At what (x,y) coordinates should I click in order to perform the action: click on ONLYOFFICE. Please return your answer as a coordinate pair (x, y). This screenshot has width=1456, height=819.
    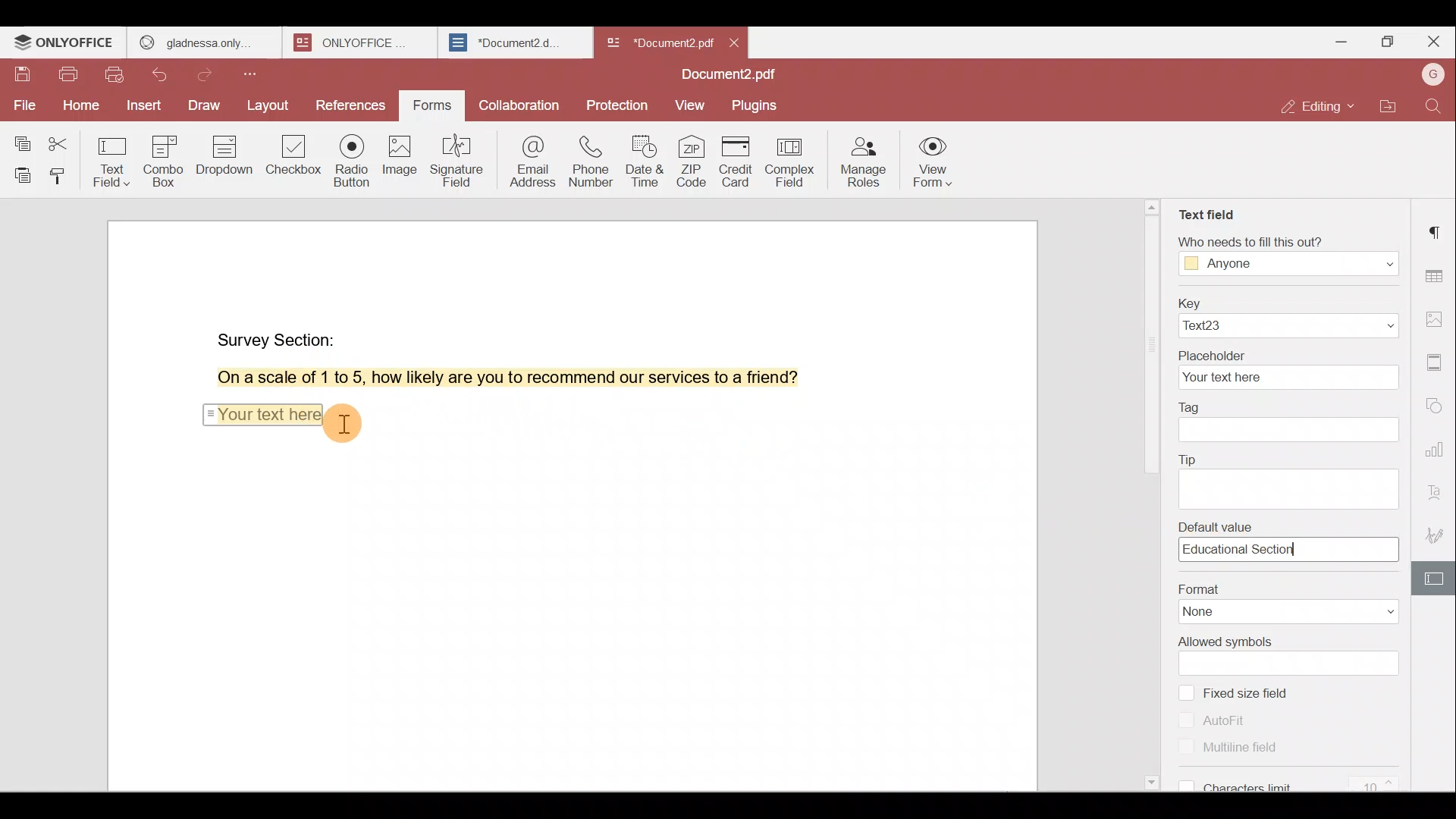
    Looking at the image, I should click on (362, 42).